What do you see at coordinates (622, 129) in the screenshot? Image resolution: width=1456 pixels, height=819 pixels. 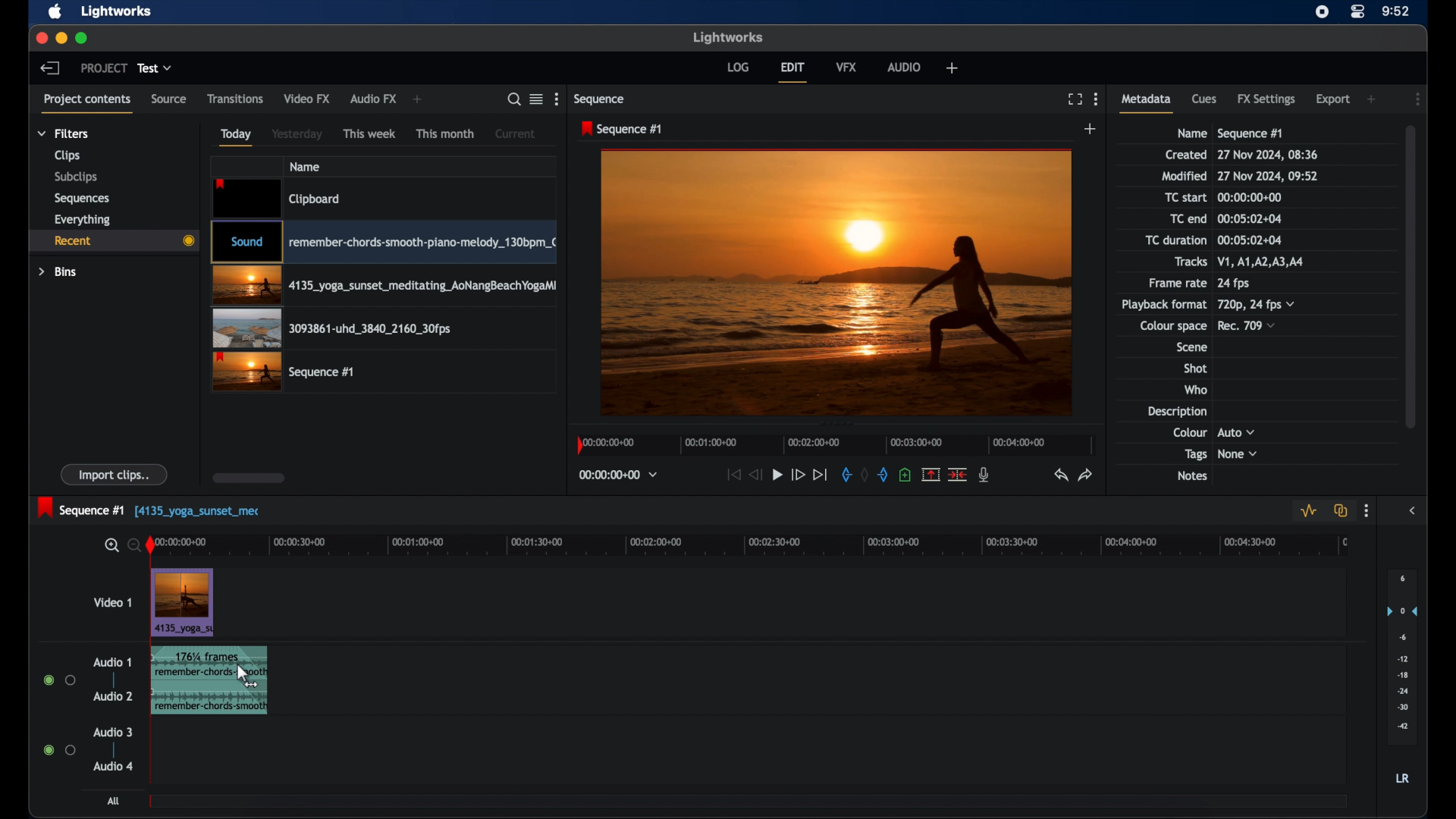 I see `sequence 1` at bounding box center [622, 129].